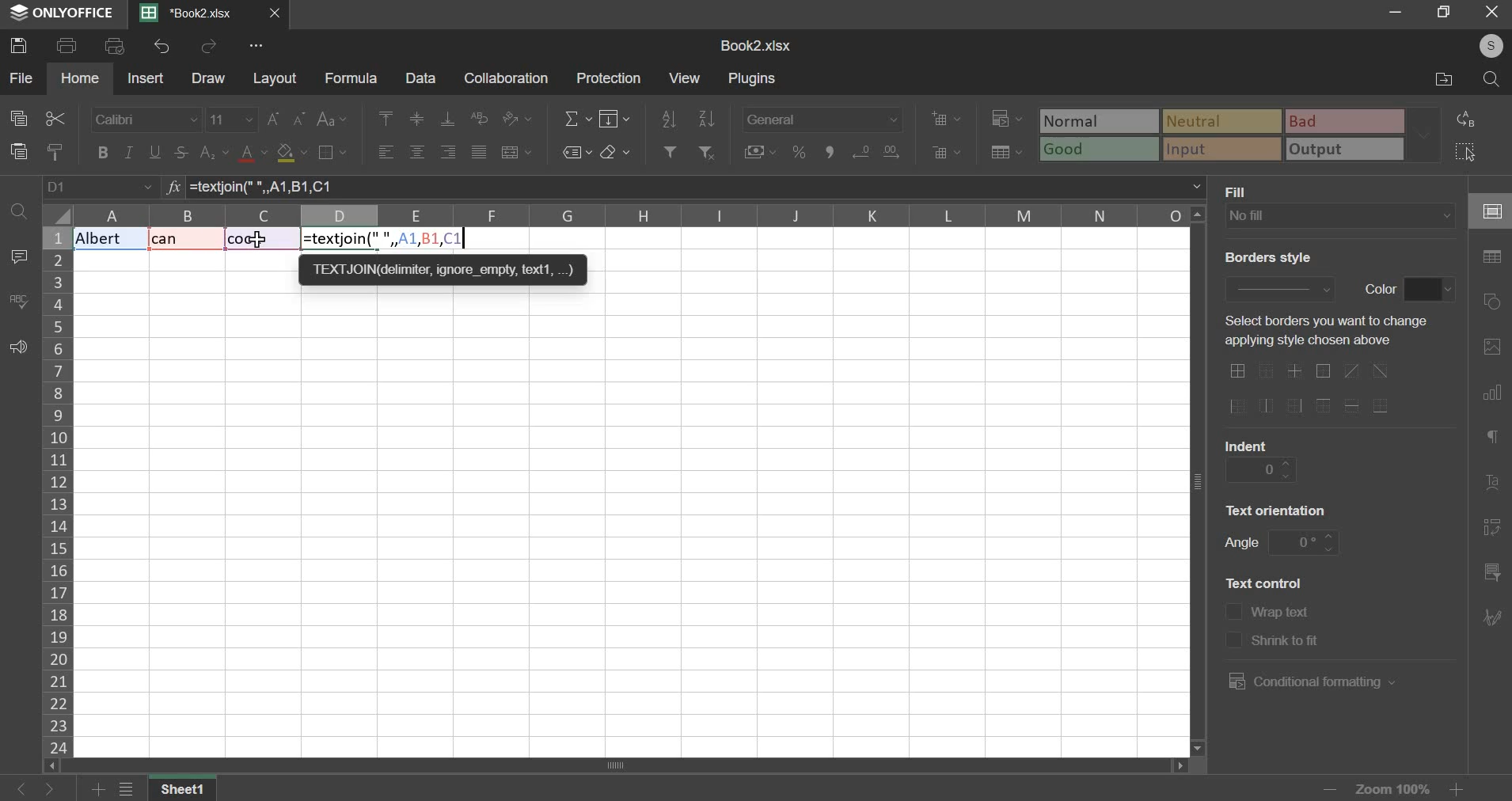 The image size is (1512, 801). I want to click on justified, so click(478, 151).